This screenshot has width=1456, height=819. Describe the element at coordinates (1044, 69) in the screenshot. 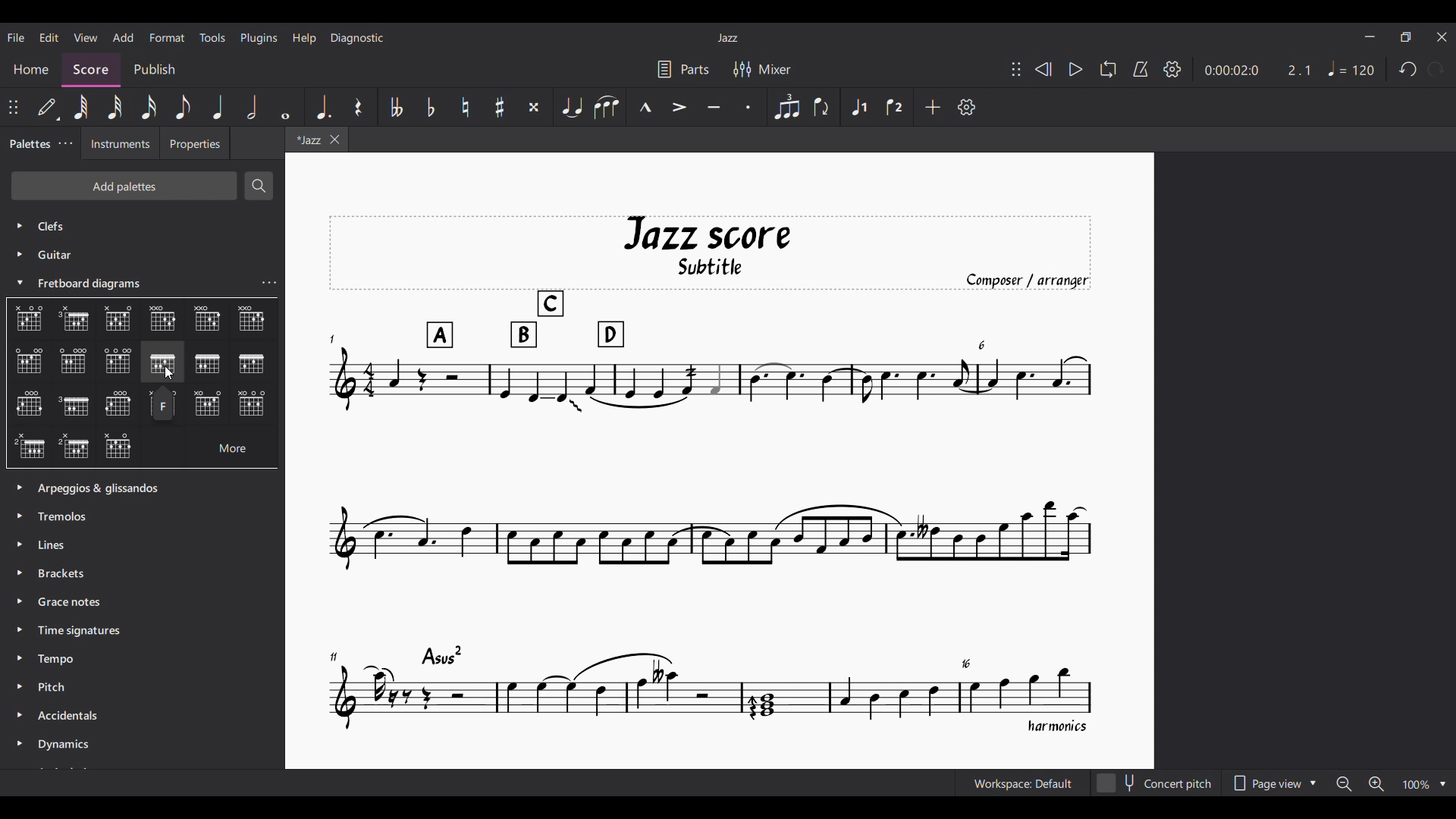

I see `Rewind` at that location.